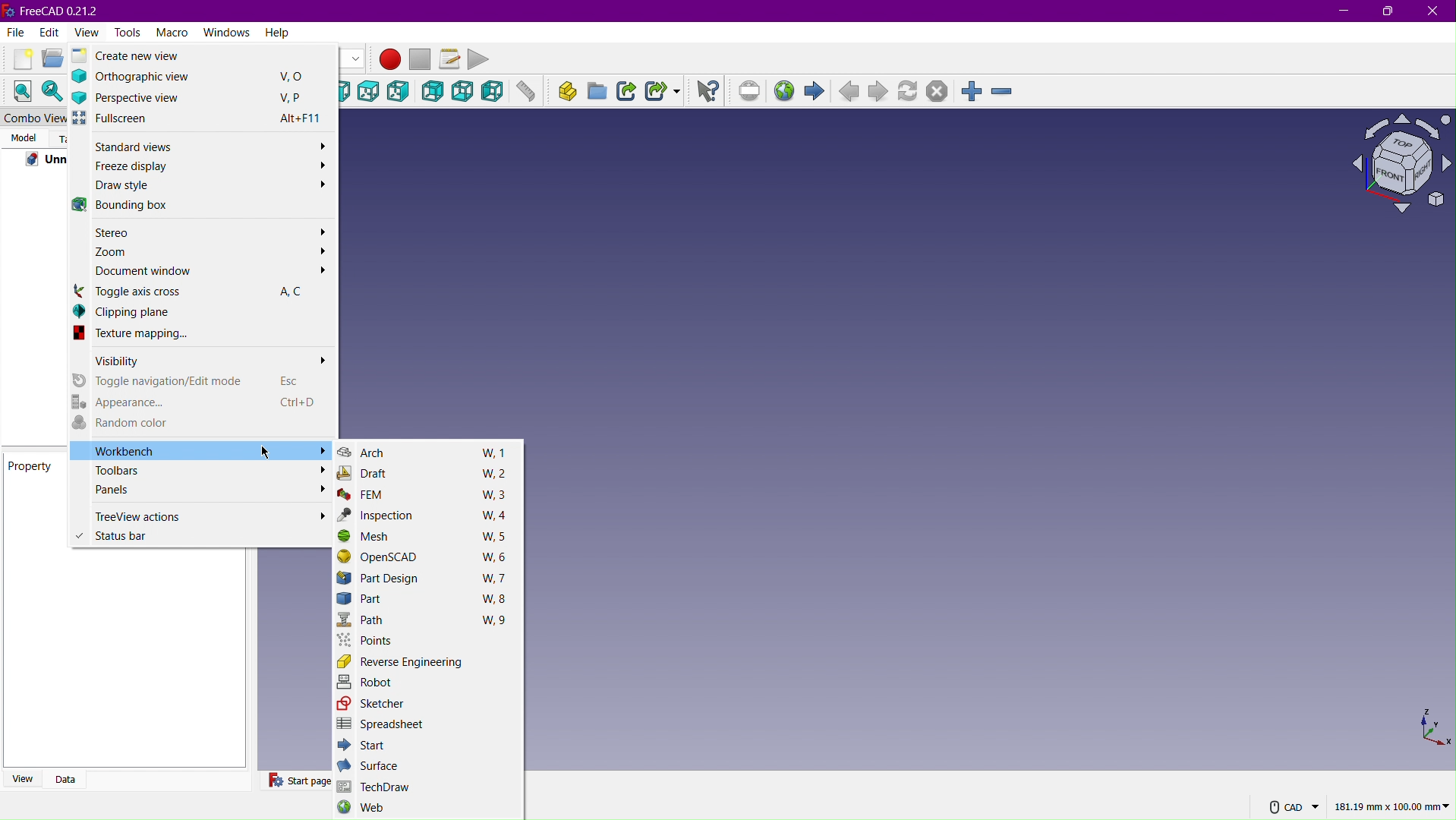  Describe the element at coordinates (203, 424) in the screenshot. I see `Random color` at that location.